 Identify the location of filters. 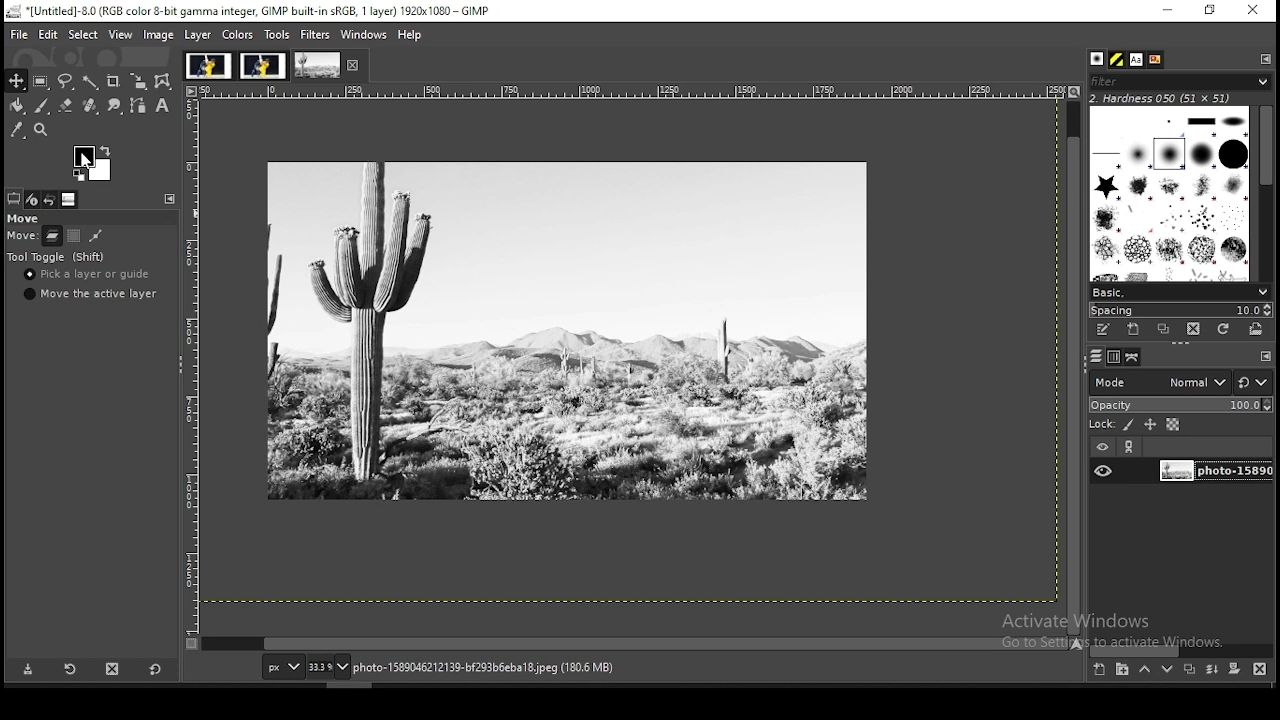
(316, 37).